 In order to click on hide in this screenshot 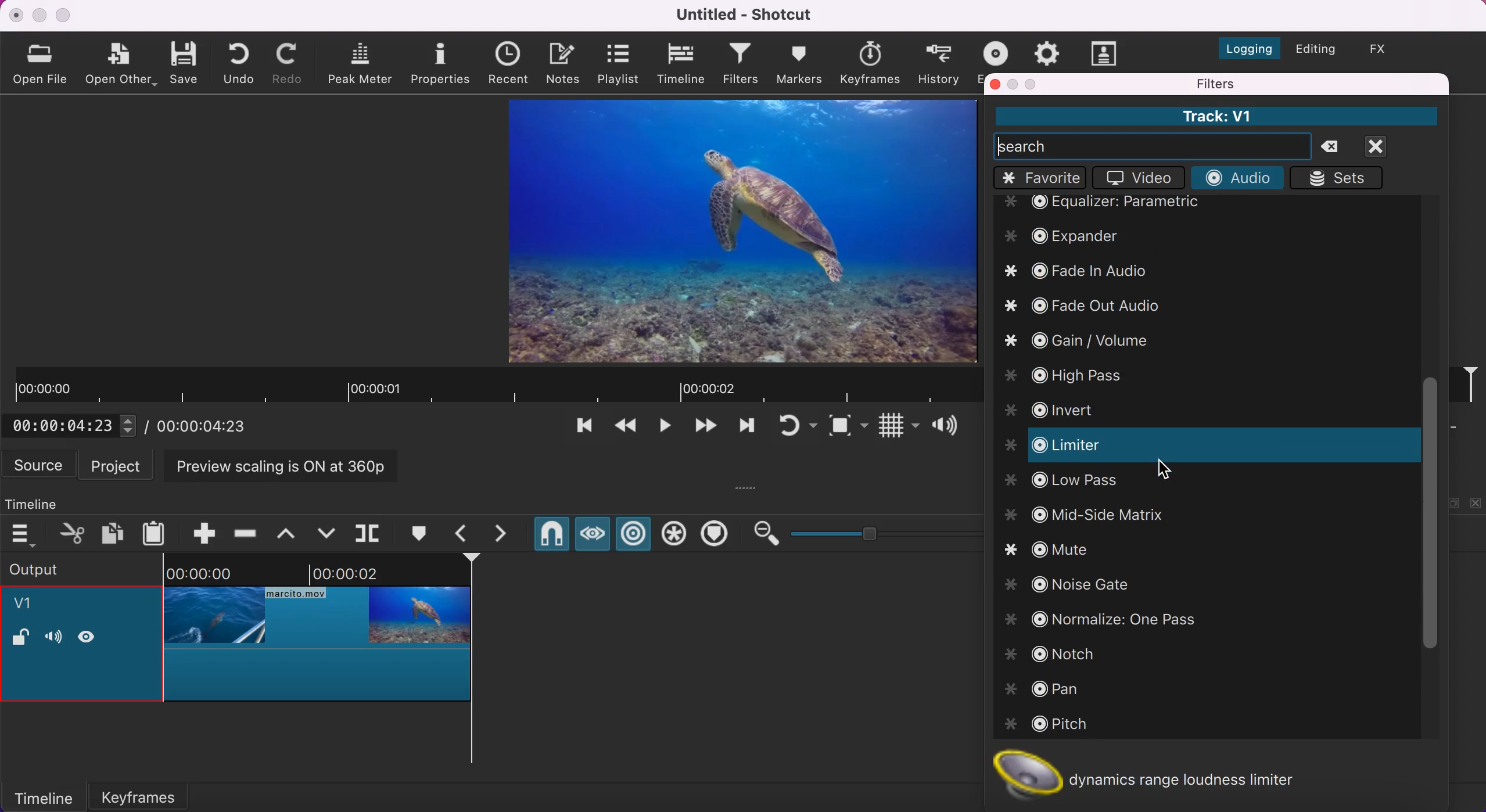, I will do `click(91, 636)`.